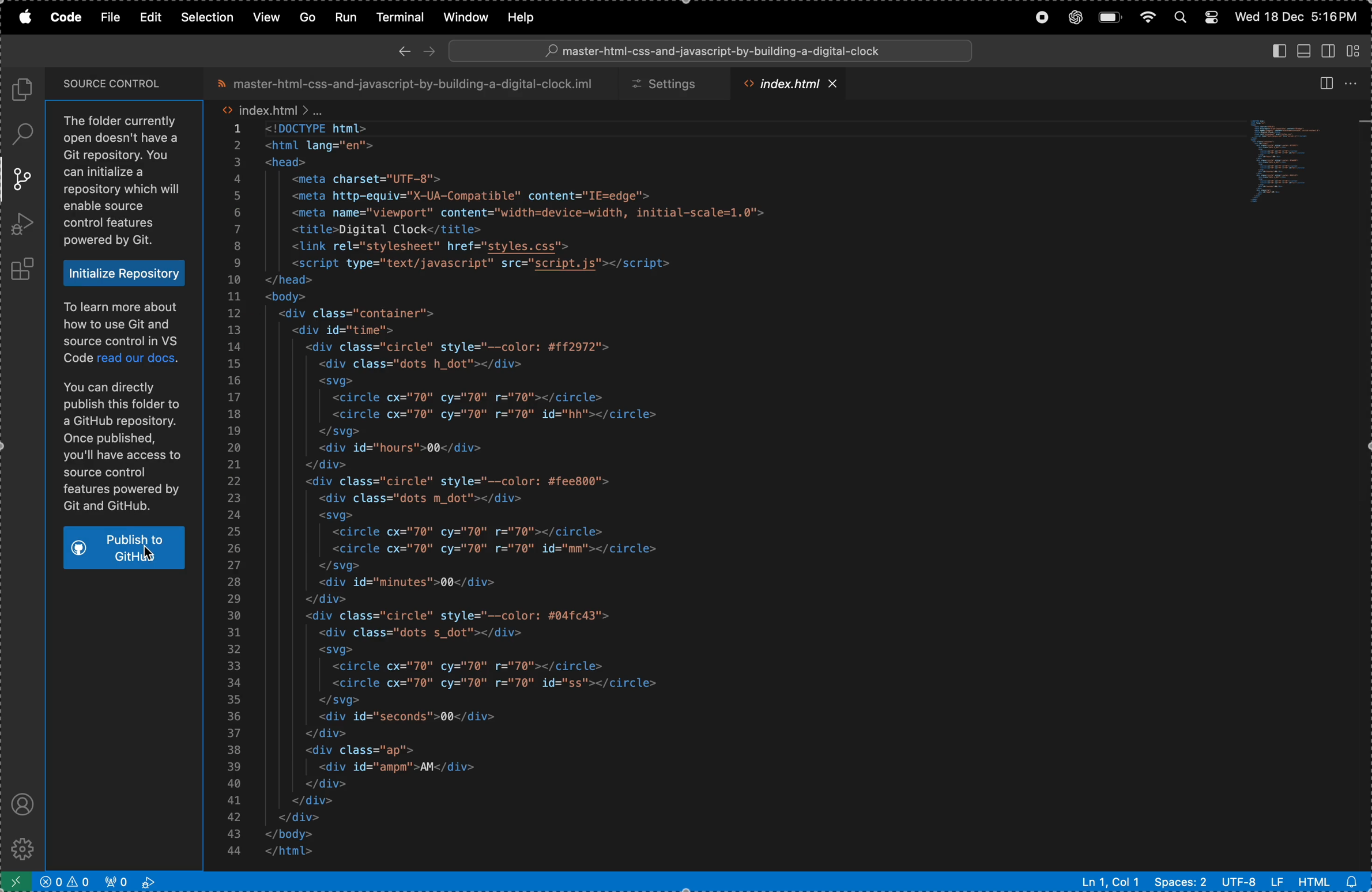  What do you see at coordinates (432, 50) in the screenshot?
I see `forward` at bounding box center [432, 50].